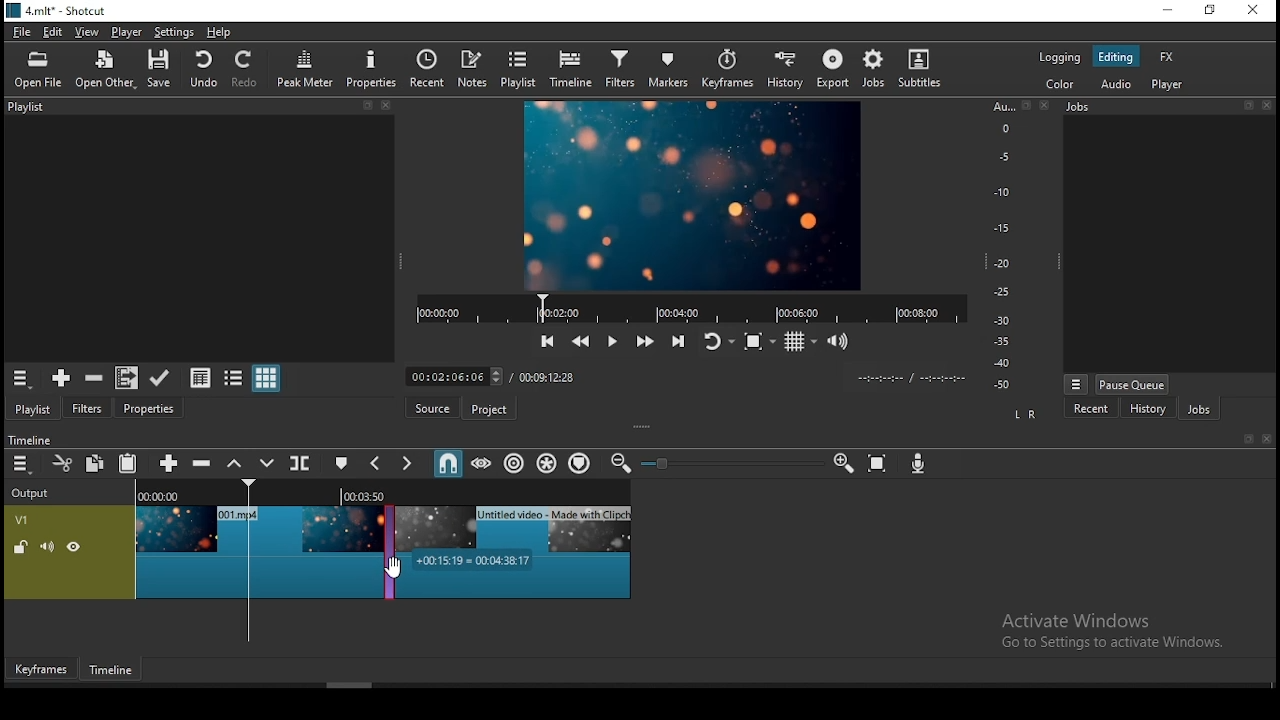  Describe the element at coordinates (375, 464) in the screenshot. I see `previous marker` at that location.